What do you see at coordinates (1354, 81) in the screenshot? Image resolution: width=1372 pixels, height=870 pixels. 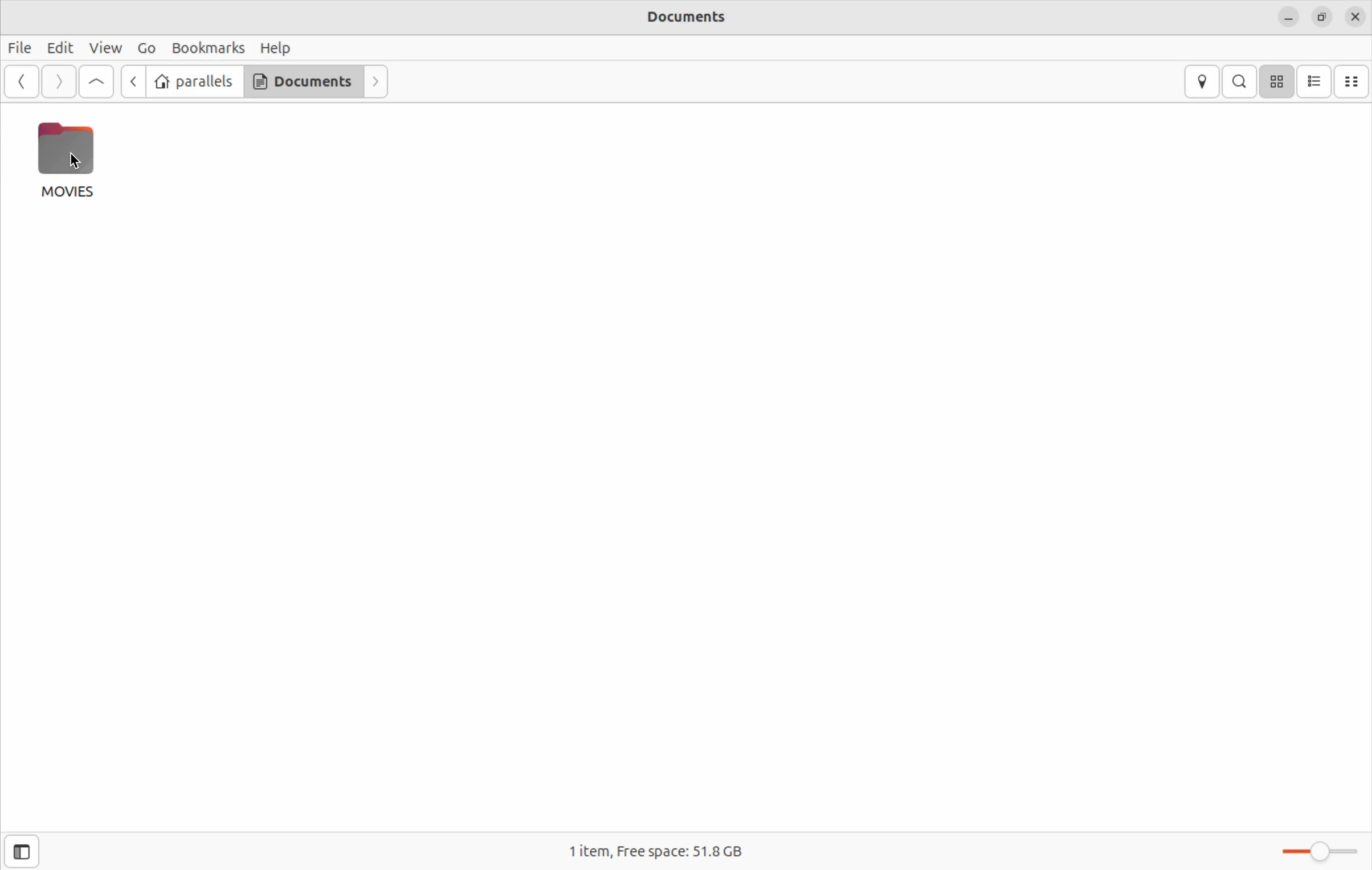 I see `compact view` at bounding box center [1354, 81].